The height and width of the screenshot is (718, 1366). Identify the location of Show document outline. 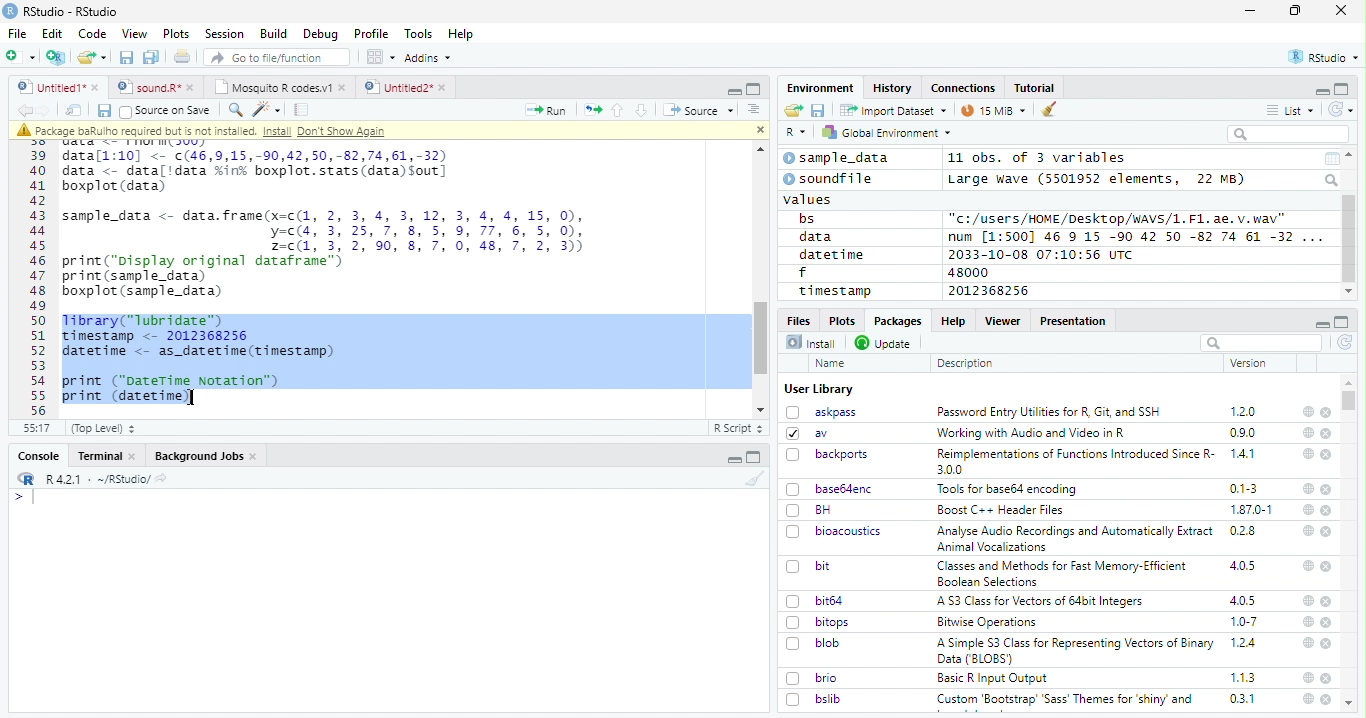
(752, 109).